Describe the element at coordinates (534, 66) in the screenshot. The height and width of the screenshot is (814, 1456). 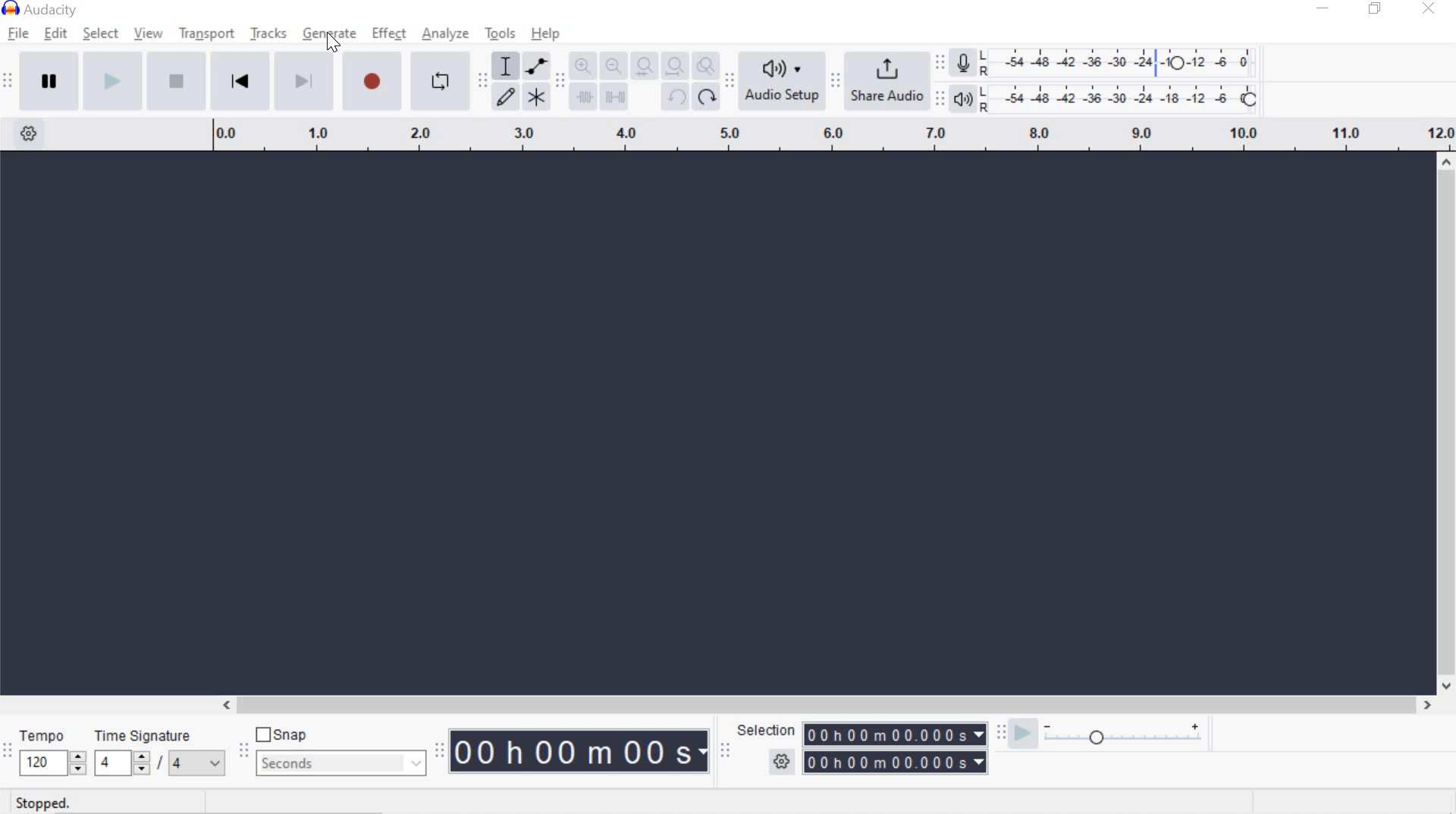
I see `Envelope tool` at that location.